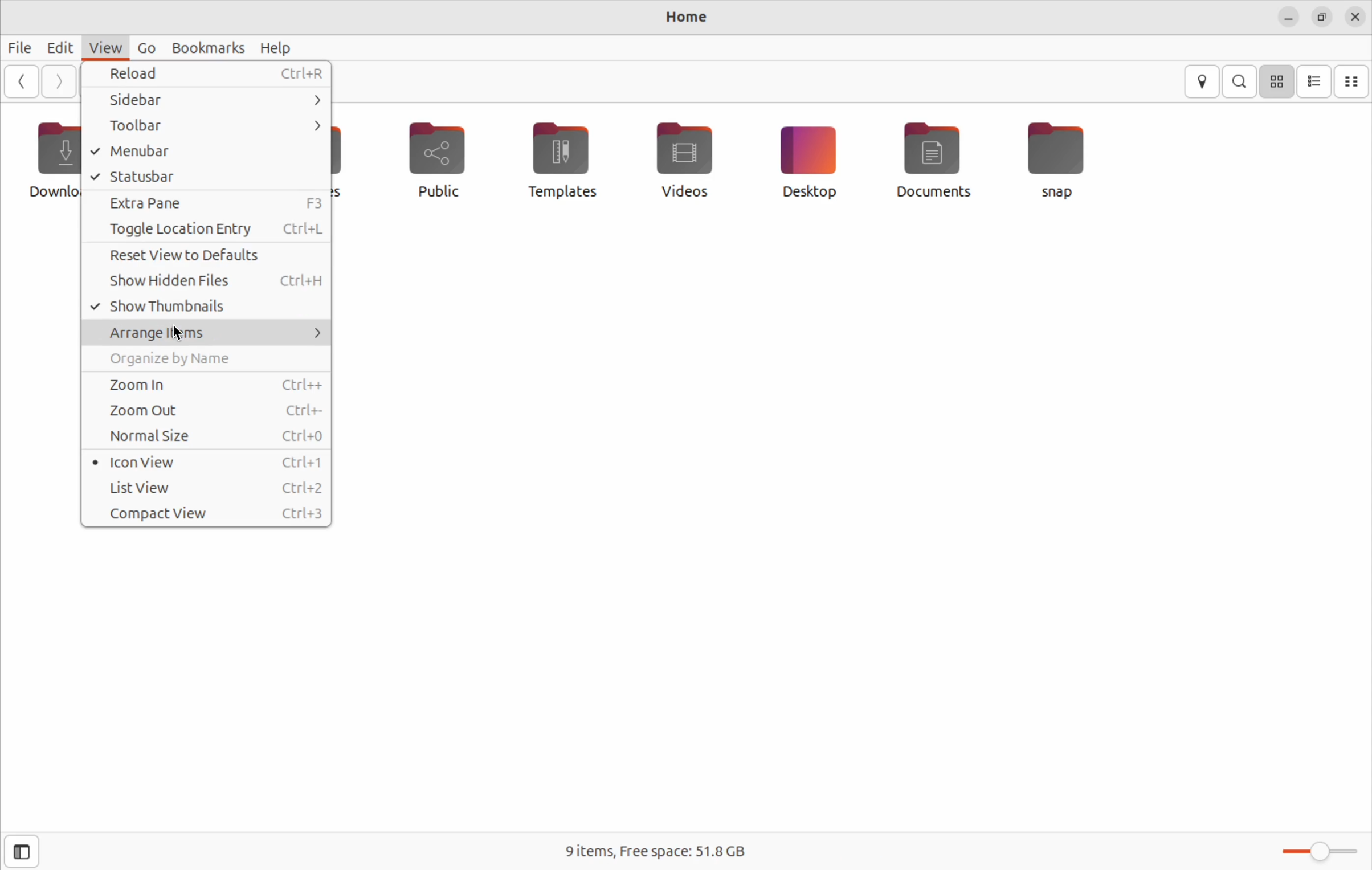  What do you see at coordinates (202, 307) in the screenshot?
I see `show thumbnails` at bounding box center [202, 307].